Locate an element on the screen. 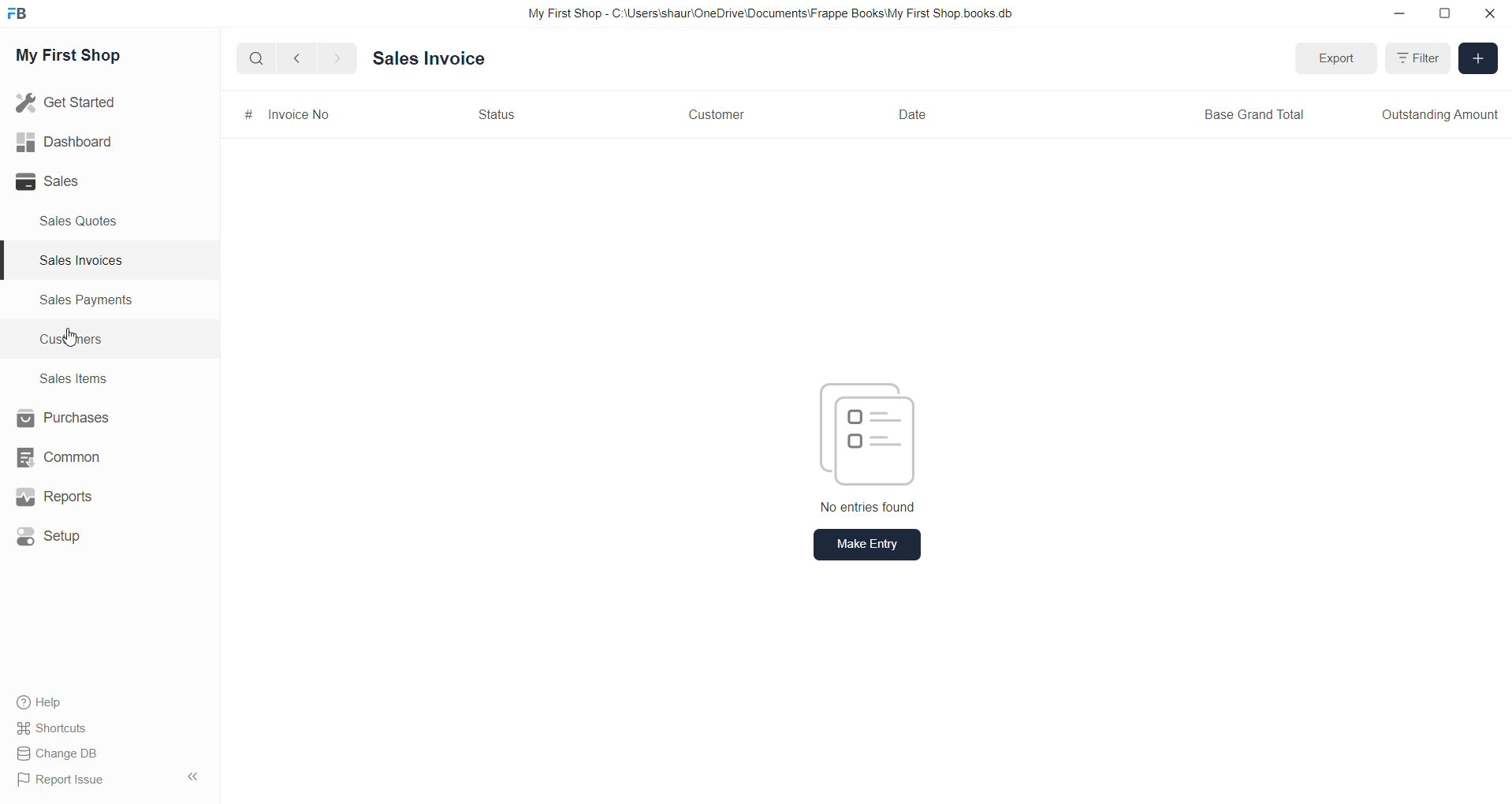  frappe book Logo is located at coordinates (21, 17).